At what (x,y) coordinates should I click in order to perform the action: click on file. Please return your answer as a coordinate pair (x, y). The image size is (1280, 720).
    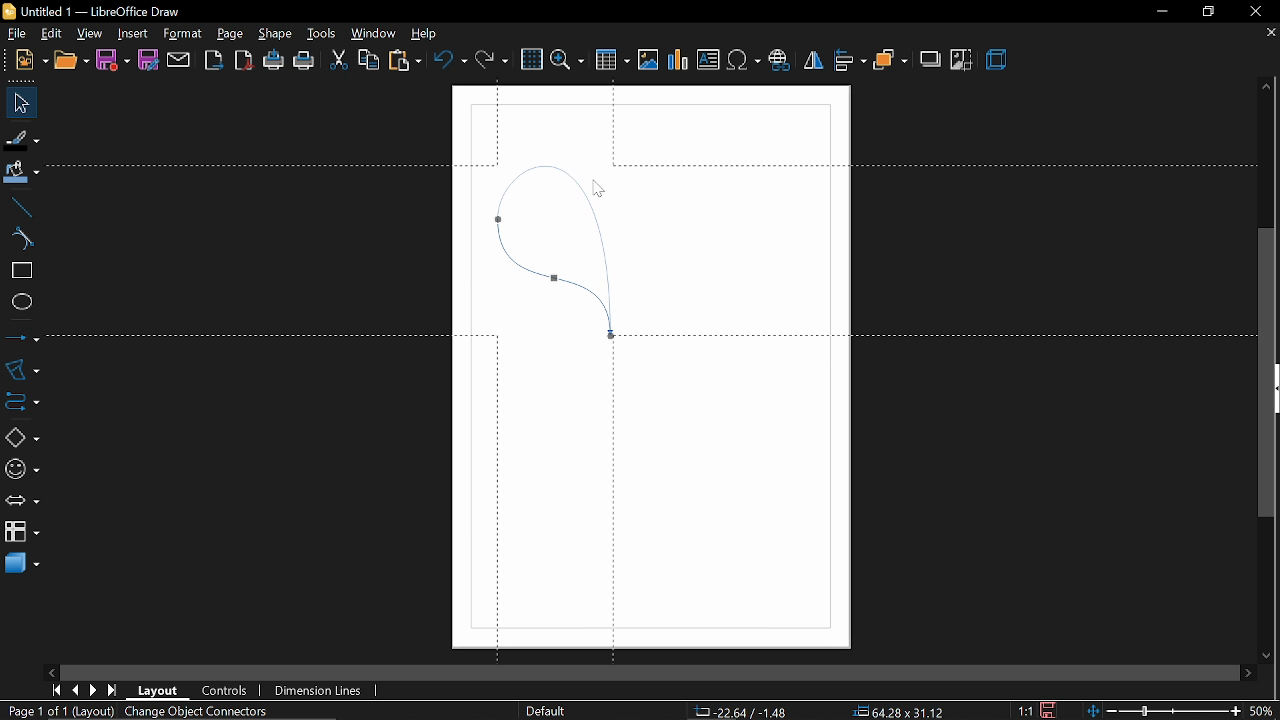
    Looking at the image, I should click on (13, 33).